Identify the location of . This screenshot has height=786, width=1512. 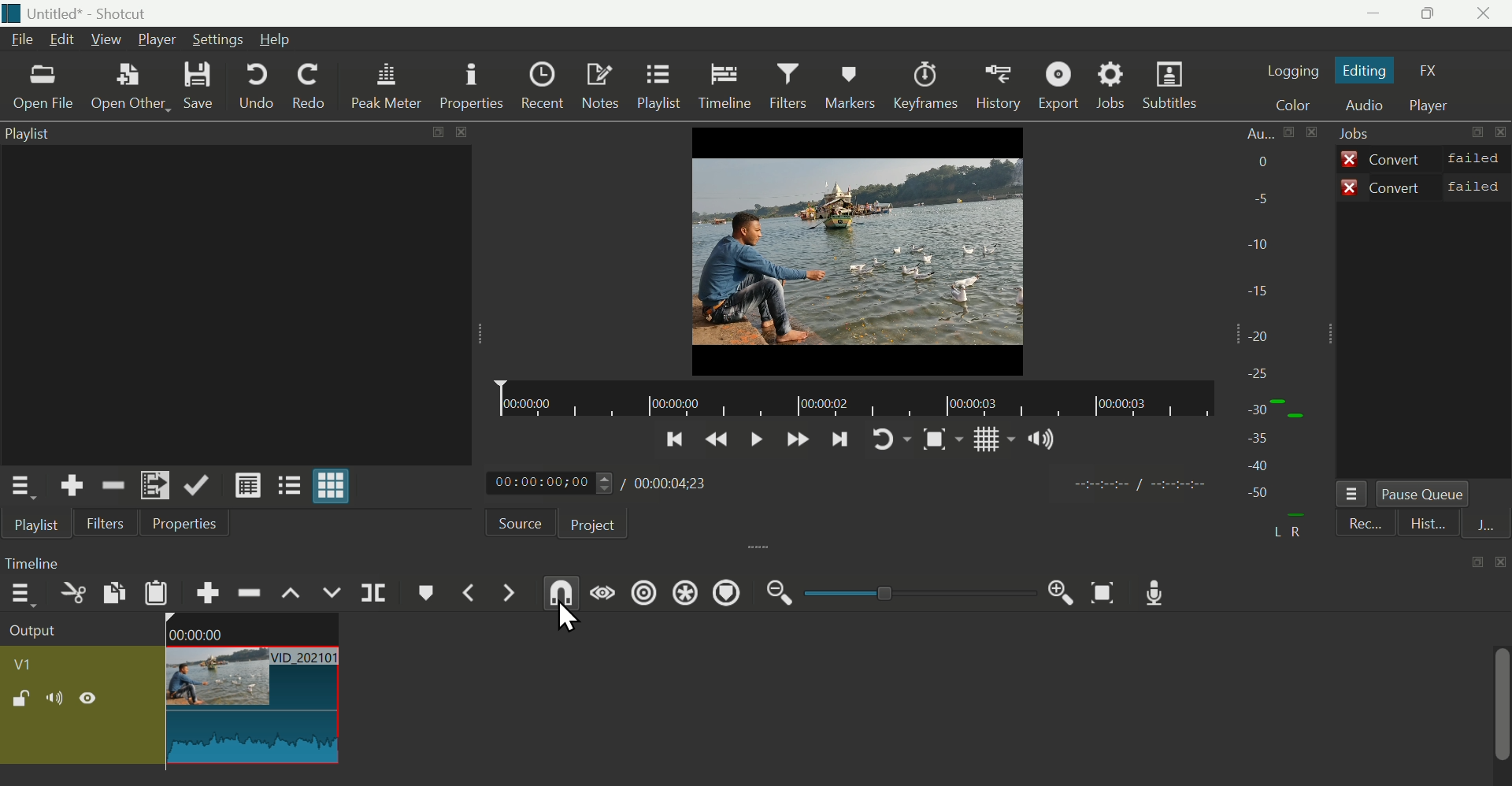
(103, 525).